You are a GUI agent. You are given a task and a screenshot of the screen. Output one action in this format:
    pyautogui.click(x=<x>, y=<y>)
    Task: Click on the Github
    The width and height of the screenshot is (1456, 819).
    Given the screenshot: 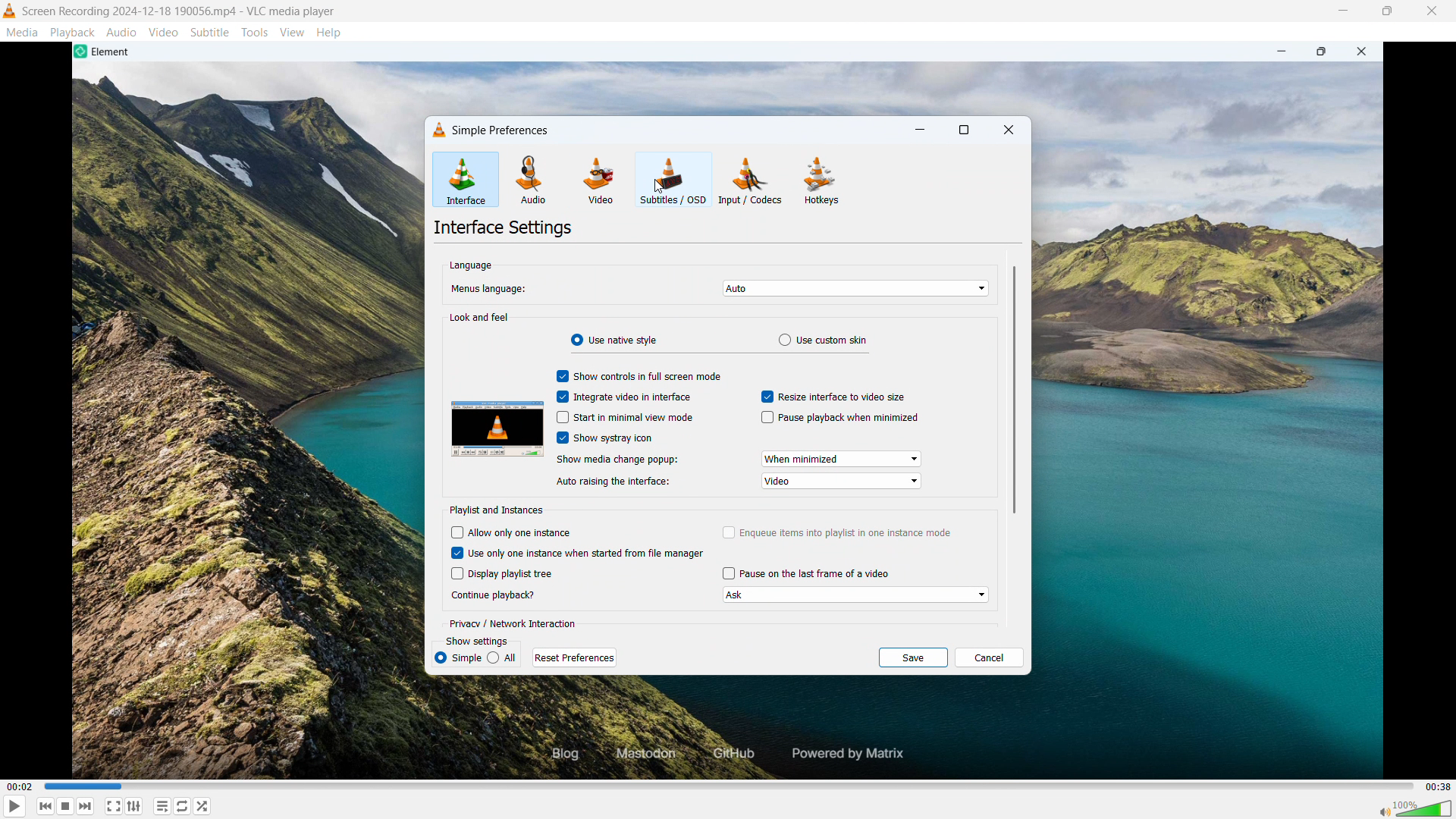 What is the action you would take?
    pyautogui.click(x=740, y=757)
    